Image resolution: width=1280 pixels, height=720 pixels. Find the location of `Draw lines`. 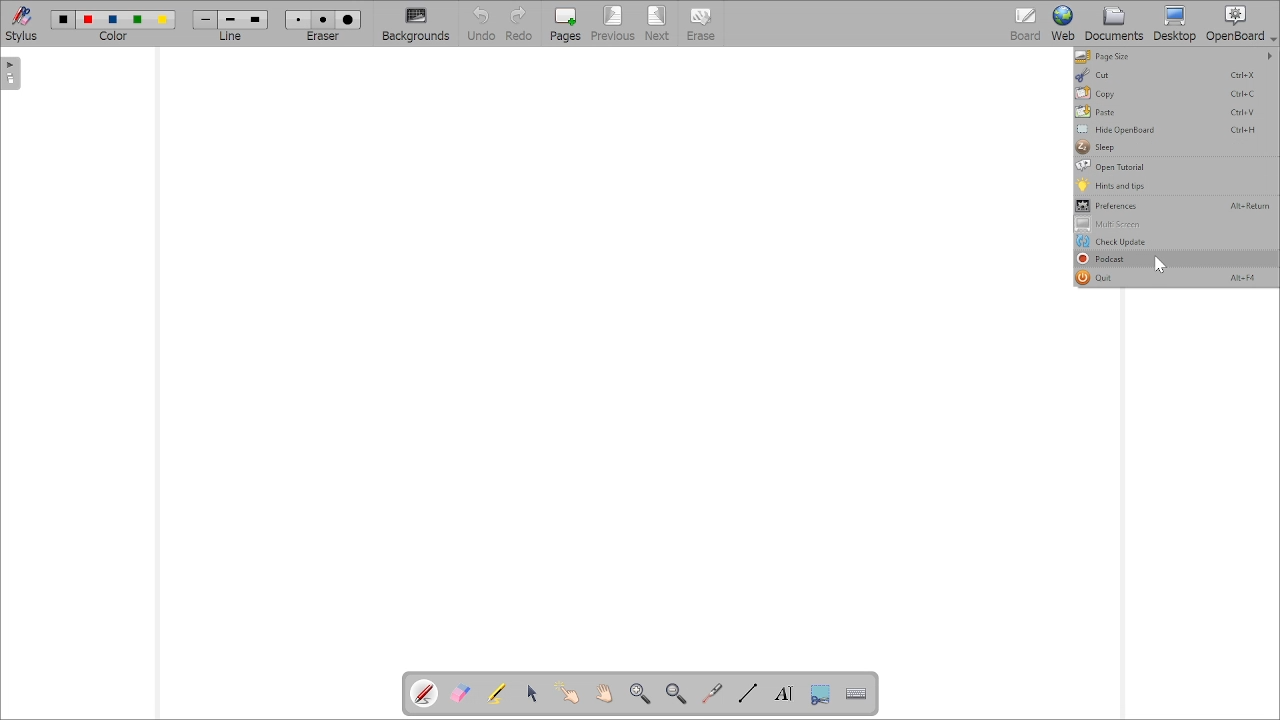

Draw lines is located at coordinates (747, 691).